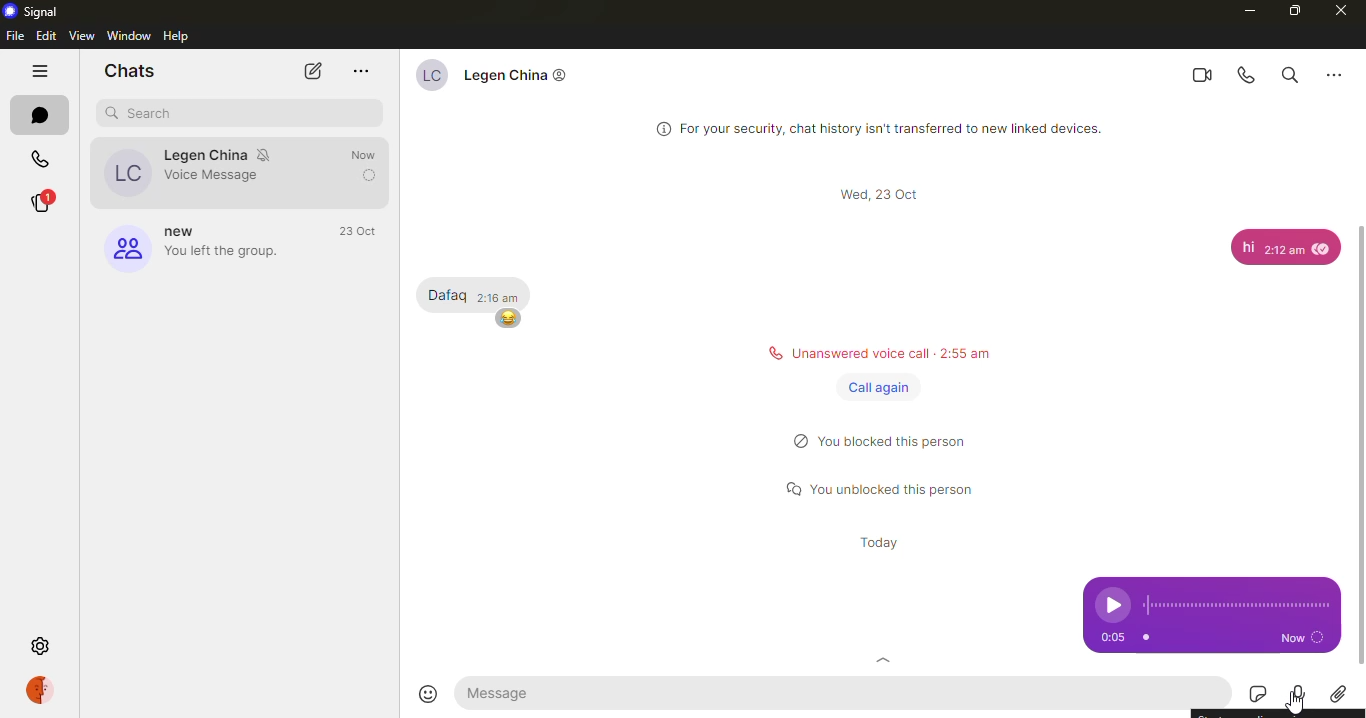  Describe the element at coordinates (1288, 72) in the screenshot. I see `search` at that location.